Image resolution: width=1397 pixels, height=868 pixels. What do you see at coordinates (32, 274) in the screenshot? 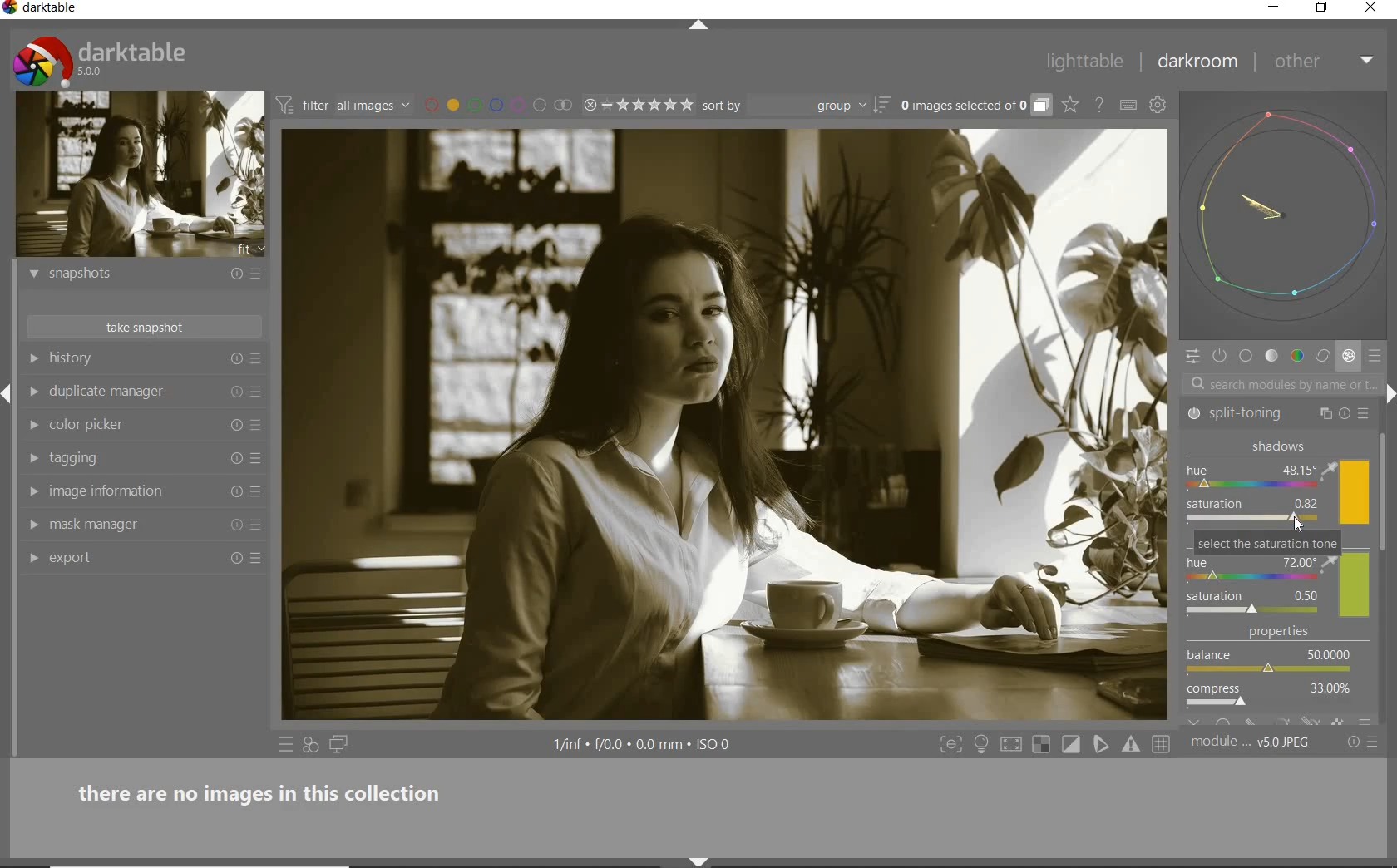
I see `show module` at bounding box center [32, 274].